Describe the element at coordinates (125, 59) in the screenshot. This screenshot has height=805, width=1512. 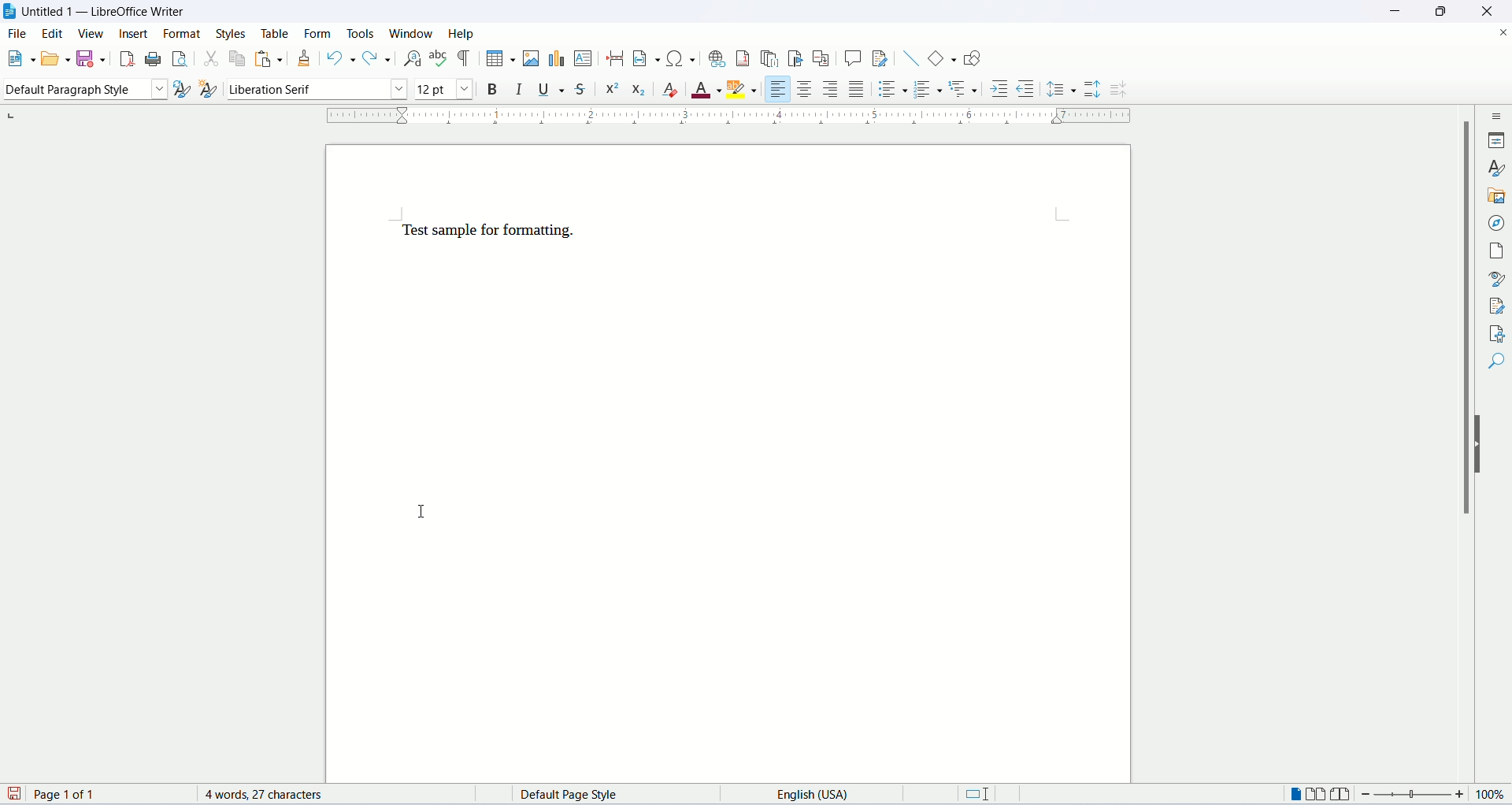
I see `export as PDF` at that location.